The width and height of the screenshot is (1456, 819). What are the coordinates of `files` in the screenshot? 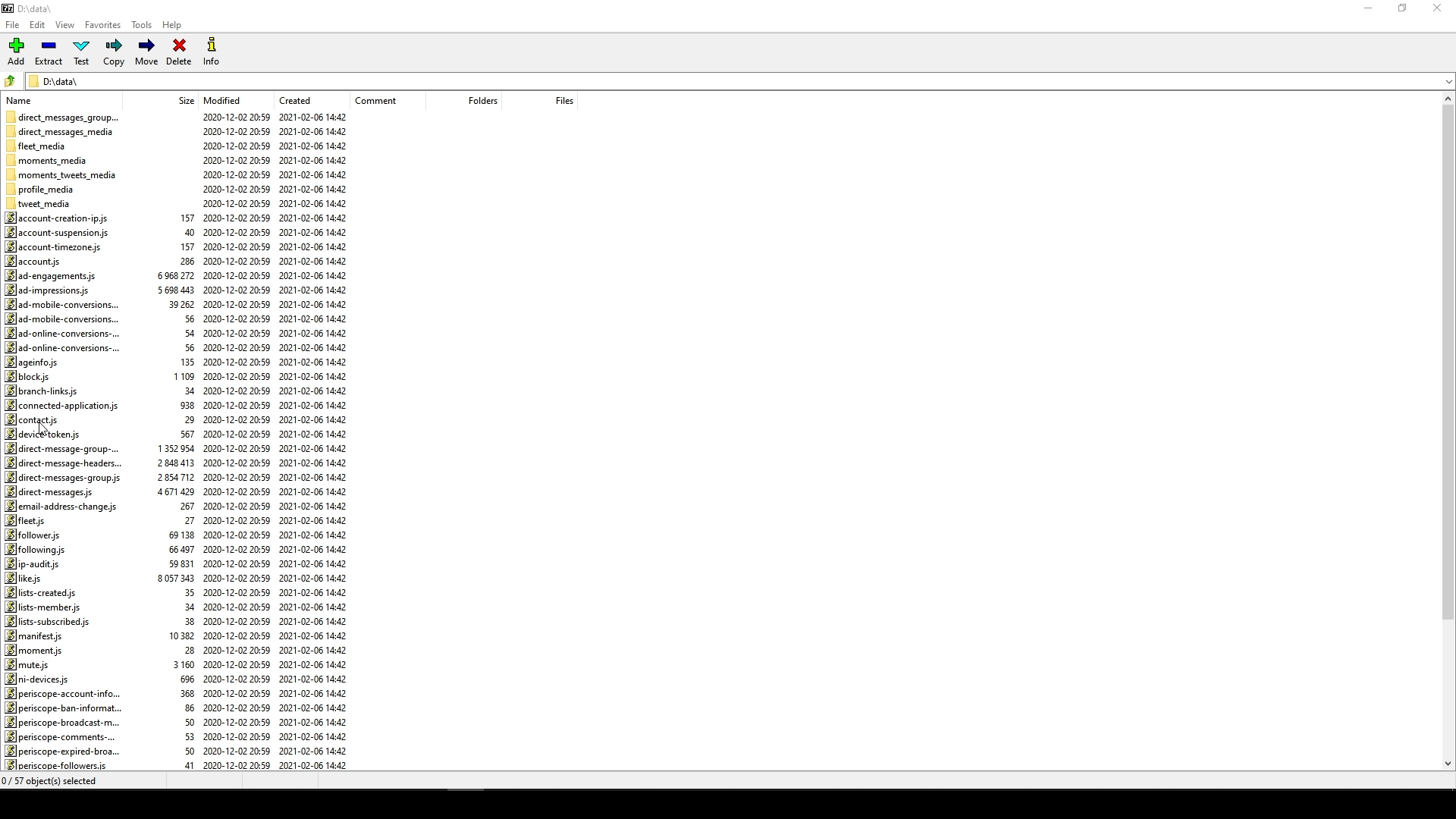 It's located at (554, 99).